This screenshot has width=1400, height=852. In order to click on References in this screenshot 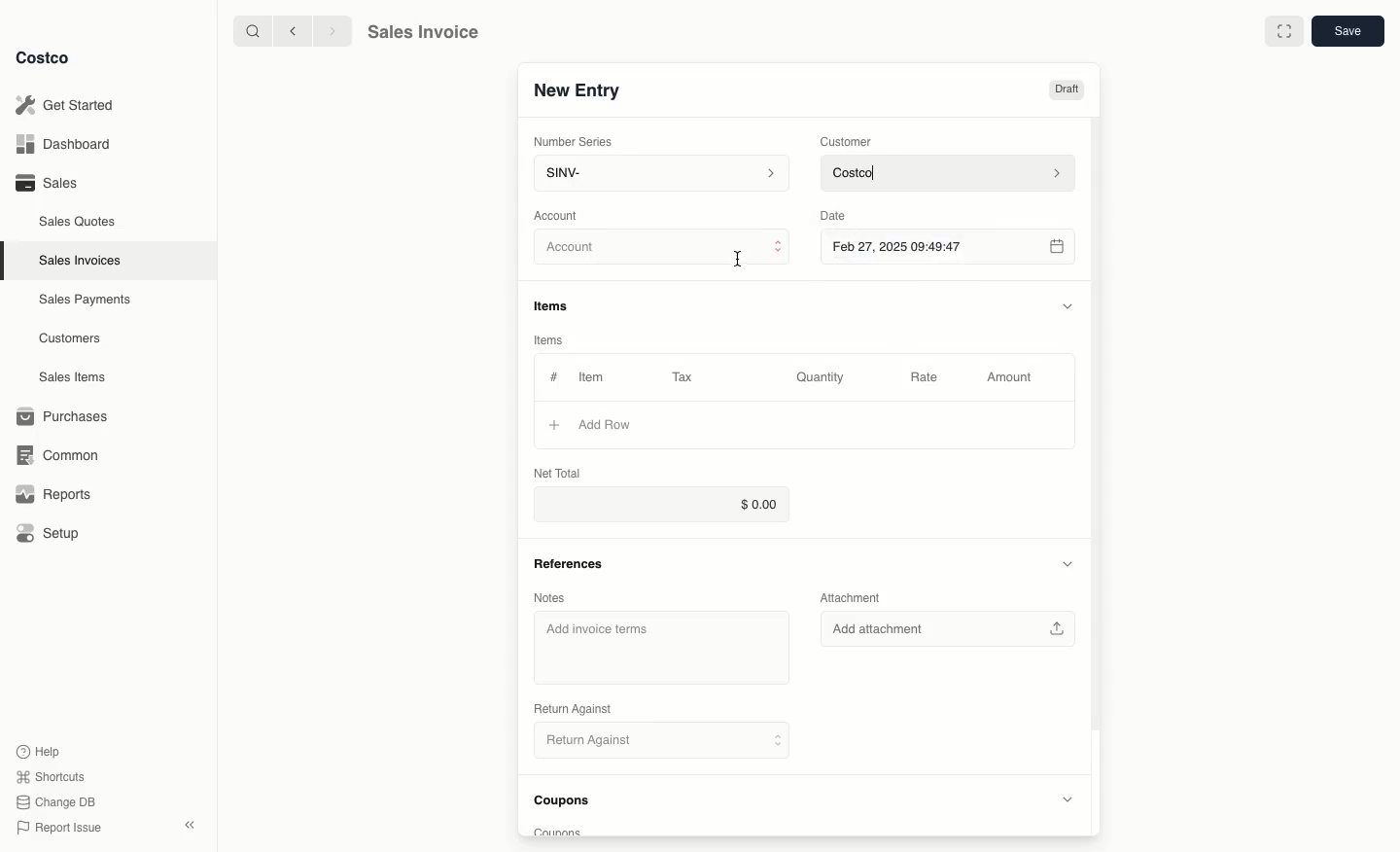, I will do `click(567, 563)`.